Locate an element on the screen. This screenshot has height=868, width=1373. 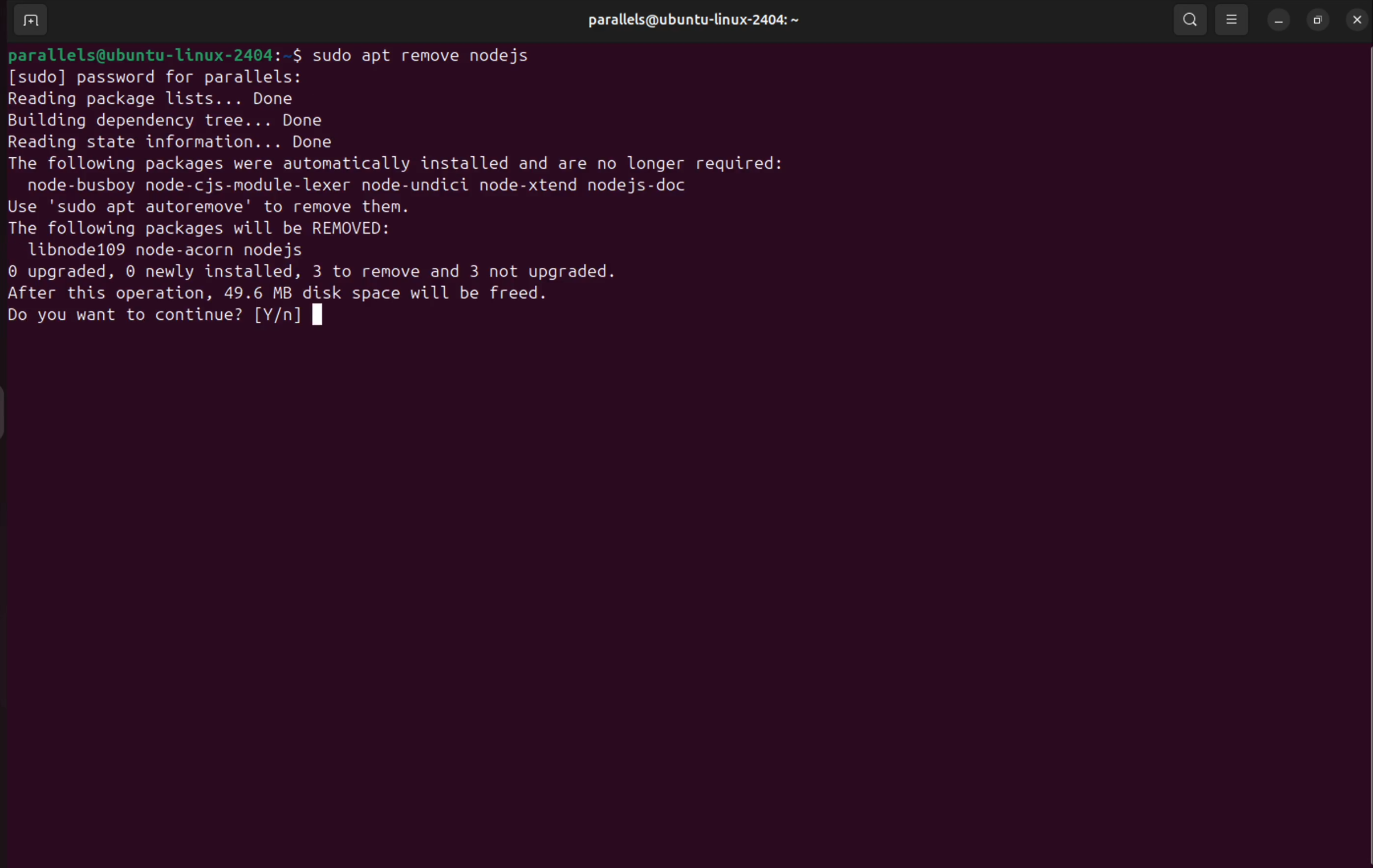
Reading package lists... Done

Building dependency tree... Done

Reading state information... Done

The following packages were automatically installed and are no longer required:
node-busboy node-cjs-module-lexer node-undici node-xtend nodejs-doc

Use 'sudo apt autoremove' to remove them.

The following packages will be REMOVED:
1ibnode109 node-acorn nodejs

0 upgraded, 0 newly installed, 3 to remove and 3 not upgraded.

After this operation, 49.6 MB disk space will be freed. is located at coordinates (399, 195).